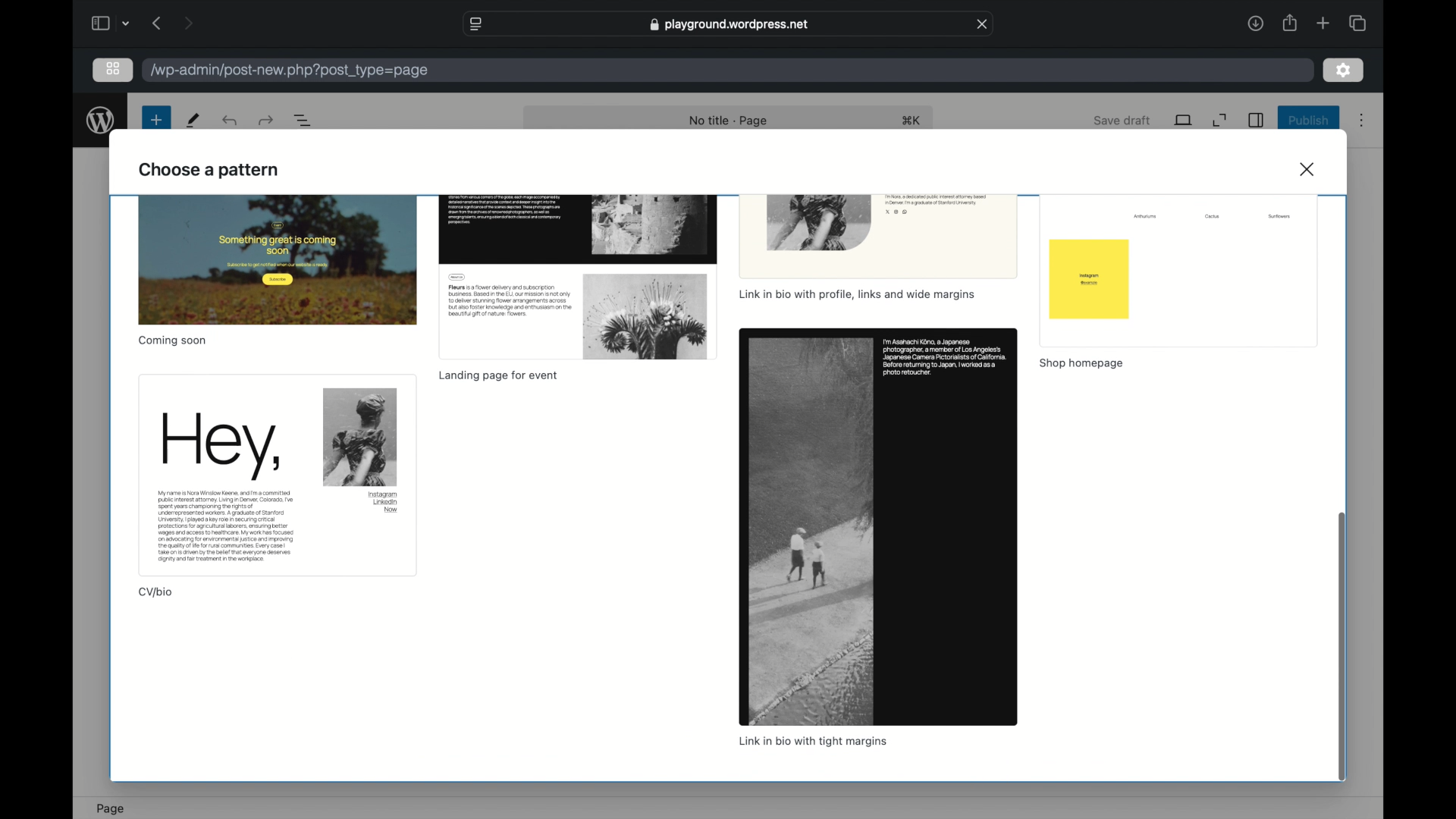  Describe the element at coordinates (1256, 23) in the screenshot. I see `downloads` at that location.